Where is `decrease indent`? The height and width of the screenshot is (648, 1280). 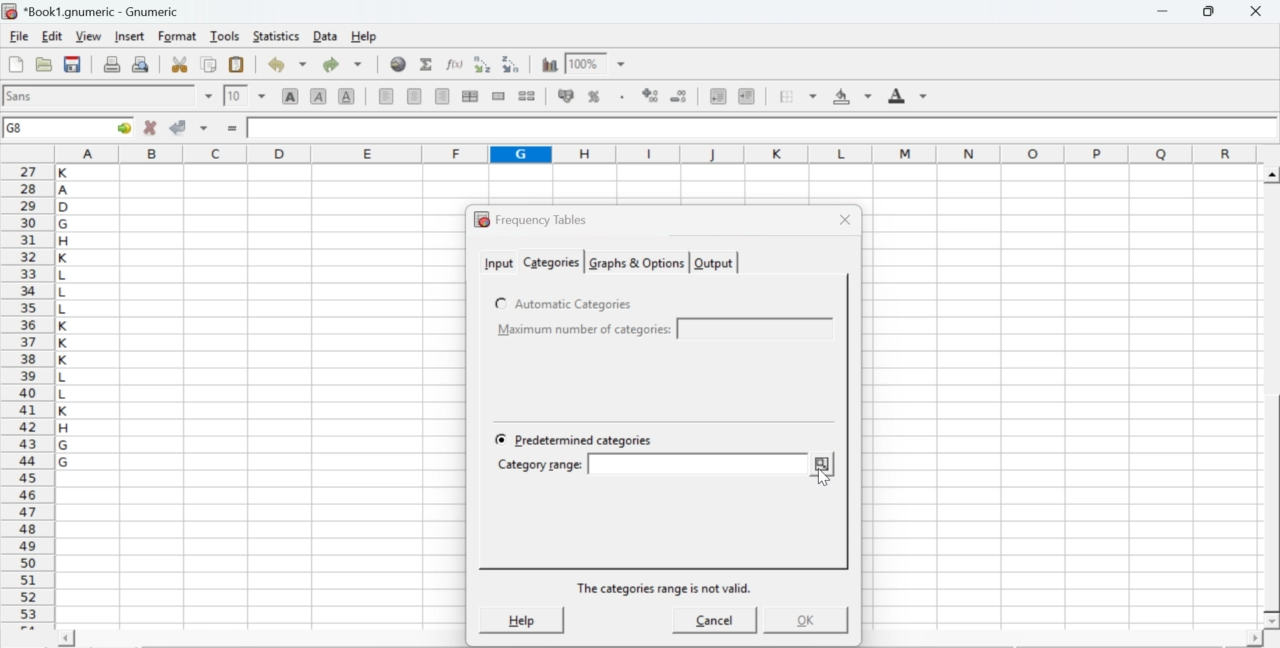
decrease indent is located at coordinates (718, 95).